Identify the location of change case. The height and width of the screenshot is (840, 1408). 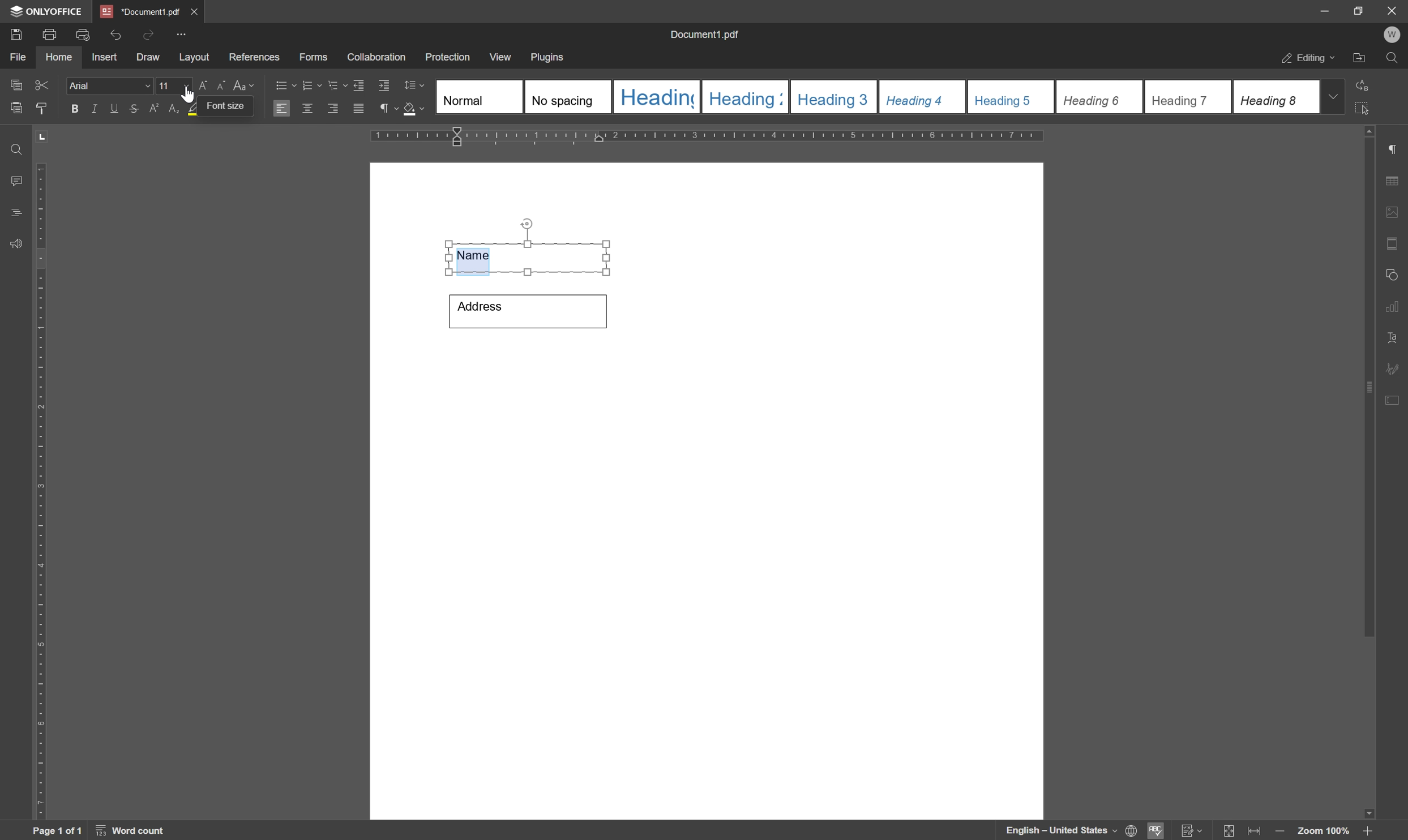
(246, 84).